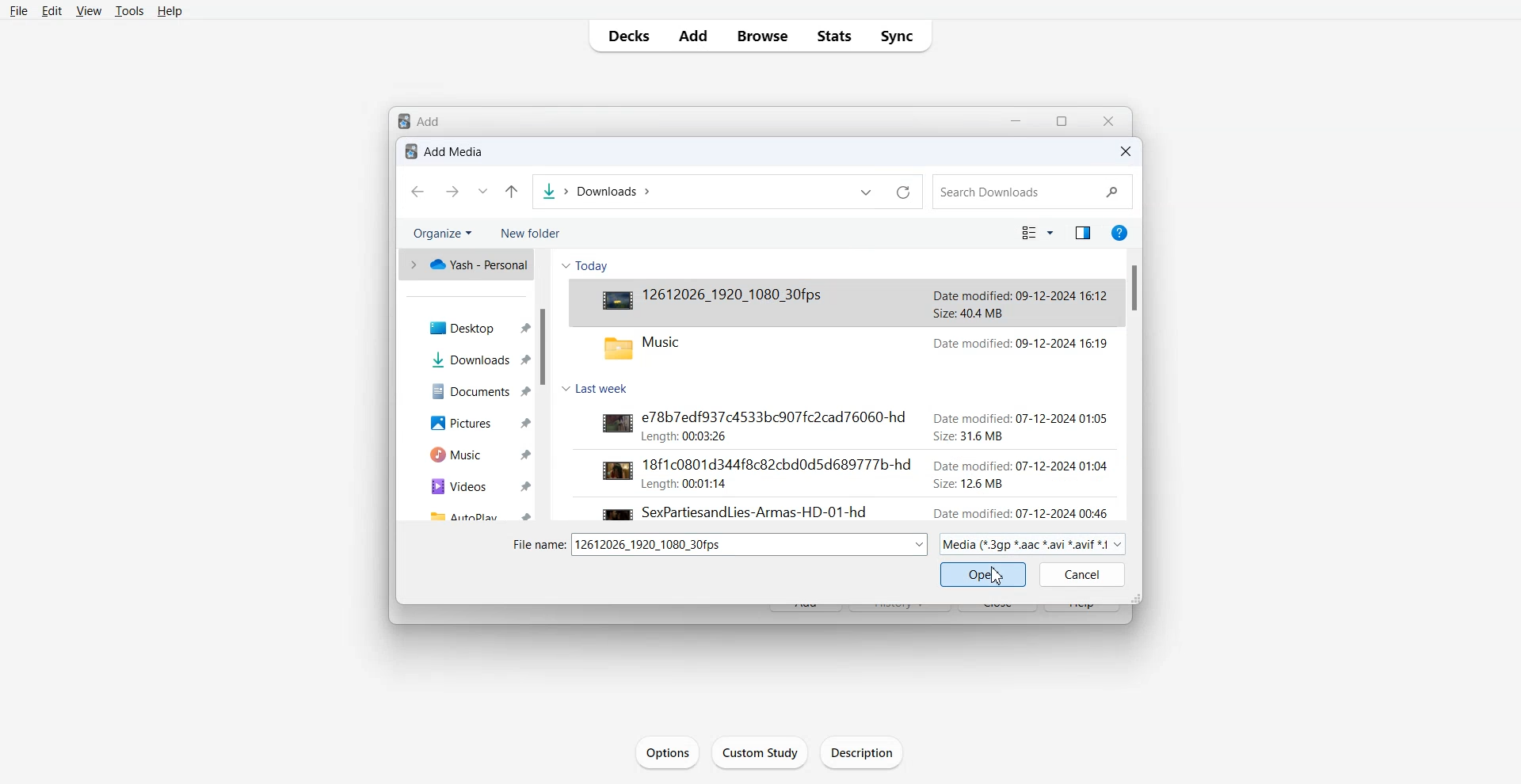 The width and height of the screenshot is (1521, 784). What do you see at coordinates (450, 152) in the screenshot?
I see `Text` at bounding box center [450, 152].